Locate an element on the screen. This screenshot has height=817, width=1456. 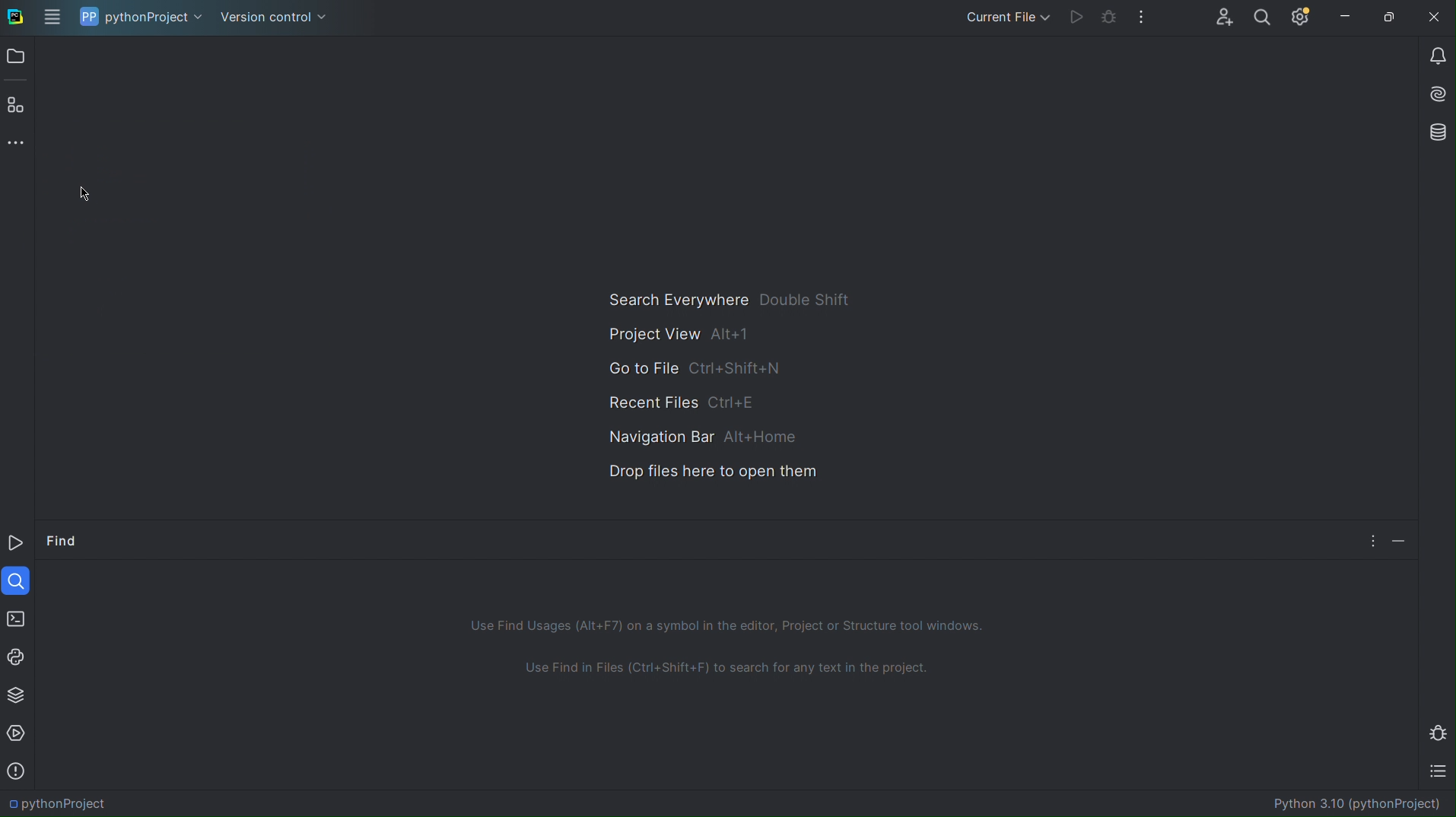
Minimize is located at coordinates (1346, 18).